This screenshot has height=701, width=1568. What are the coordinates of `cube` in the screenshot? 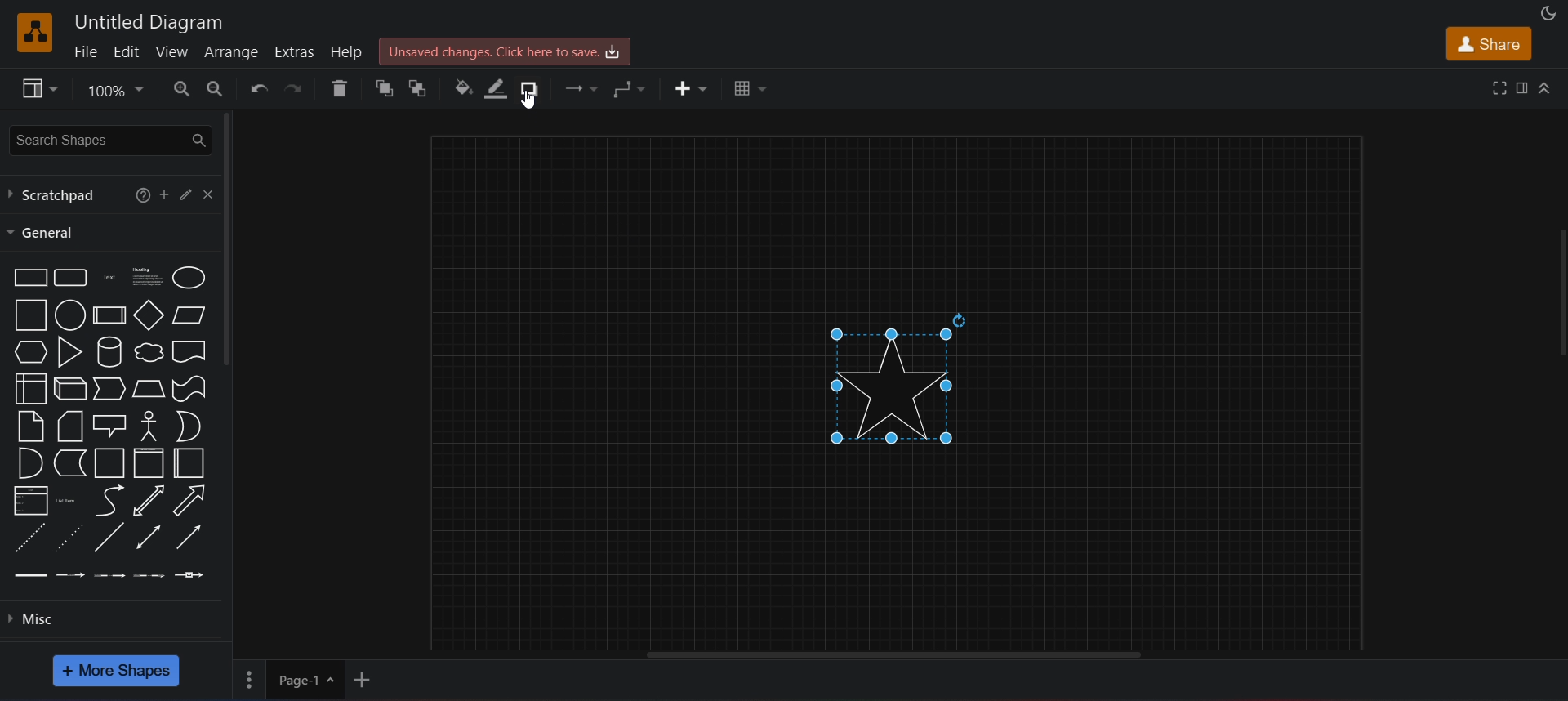 It's located at (72, 389).